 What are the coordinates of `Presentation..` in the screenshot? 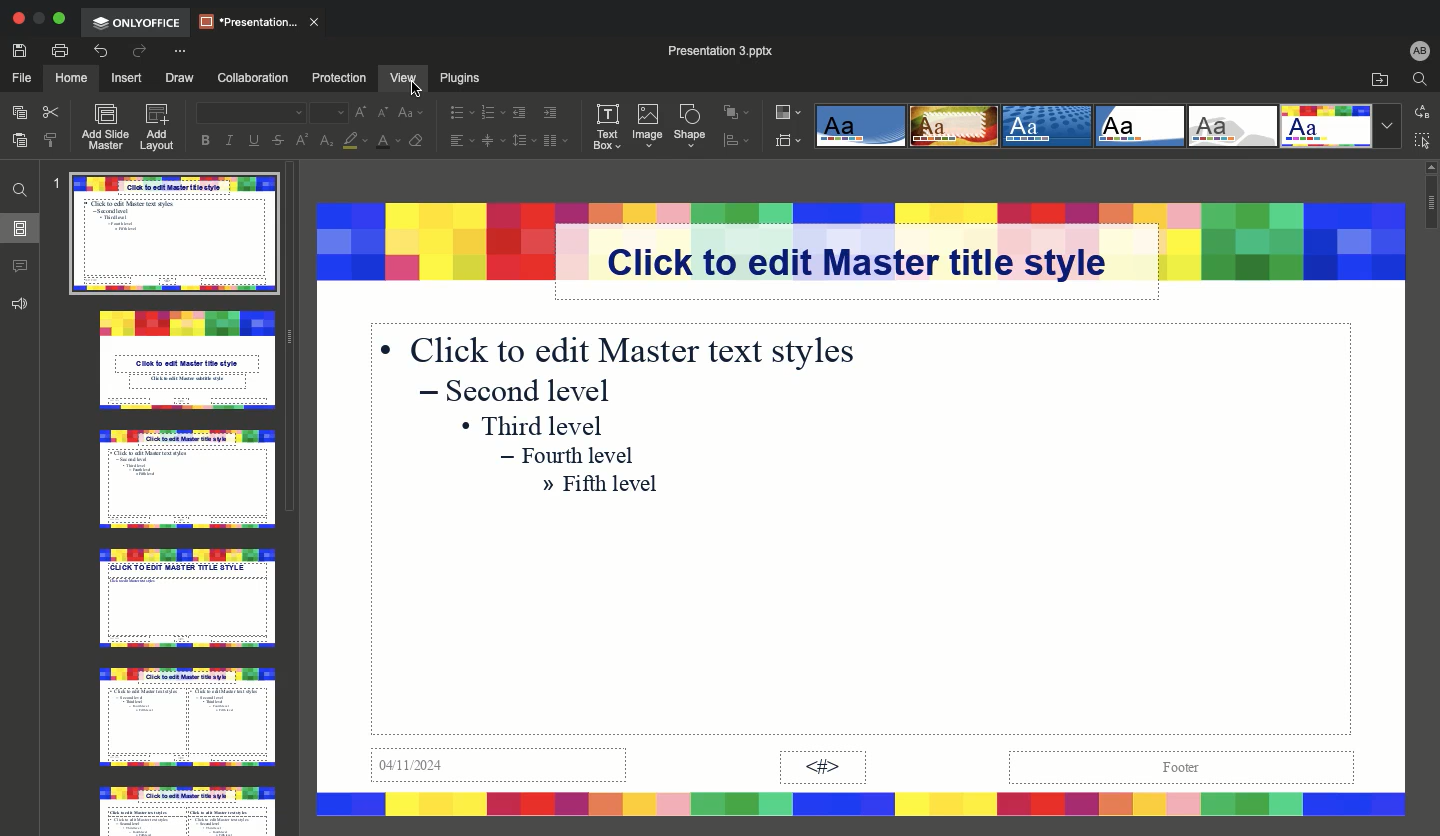 It's located at (259, 20).